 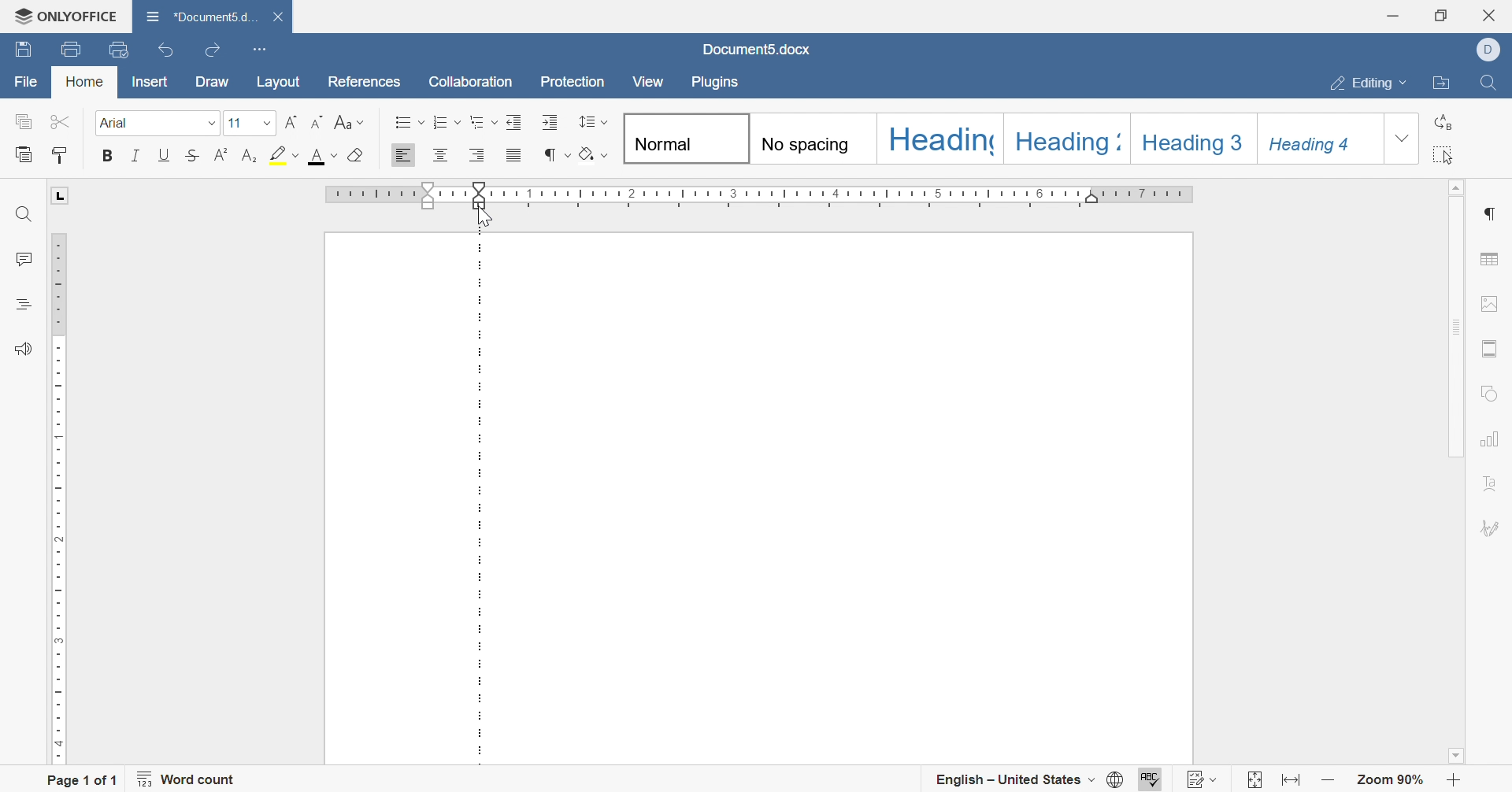 What do you see at coordinates (1489, 82) in the screenshot?
I see `find` at bounding box center [1489, 82].